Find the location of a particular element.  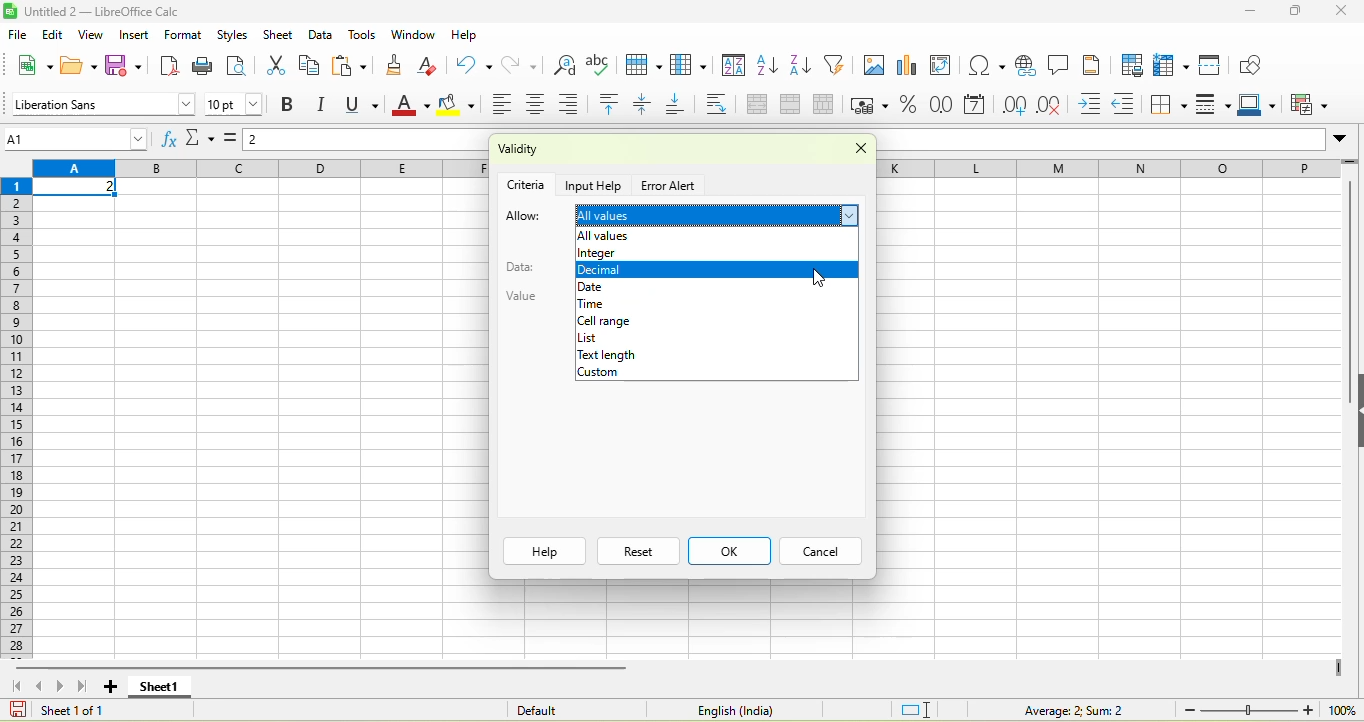

decrease indent is located at coordinates (1129, 106).